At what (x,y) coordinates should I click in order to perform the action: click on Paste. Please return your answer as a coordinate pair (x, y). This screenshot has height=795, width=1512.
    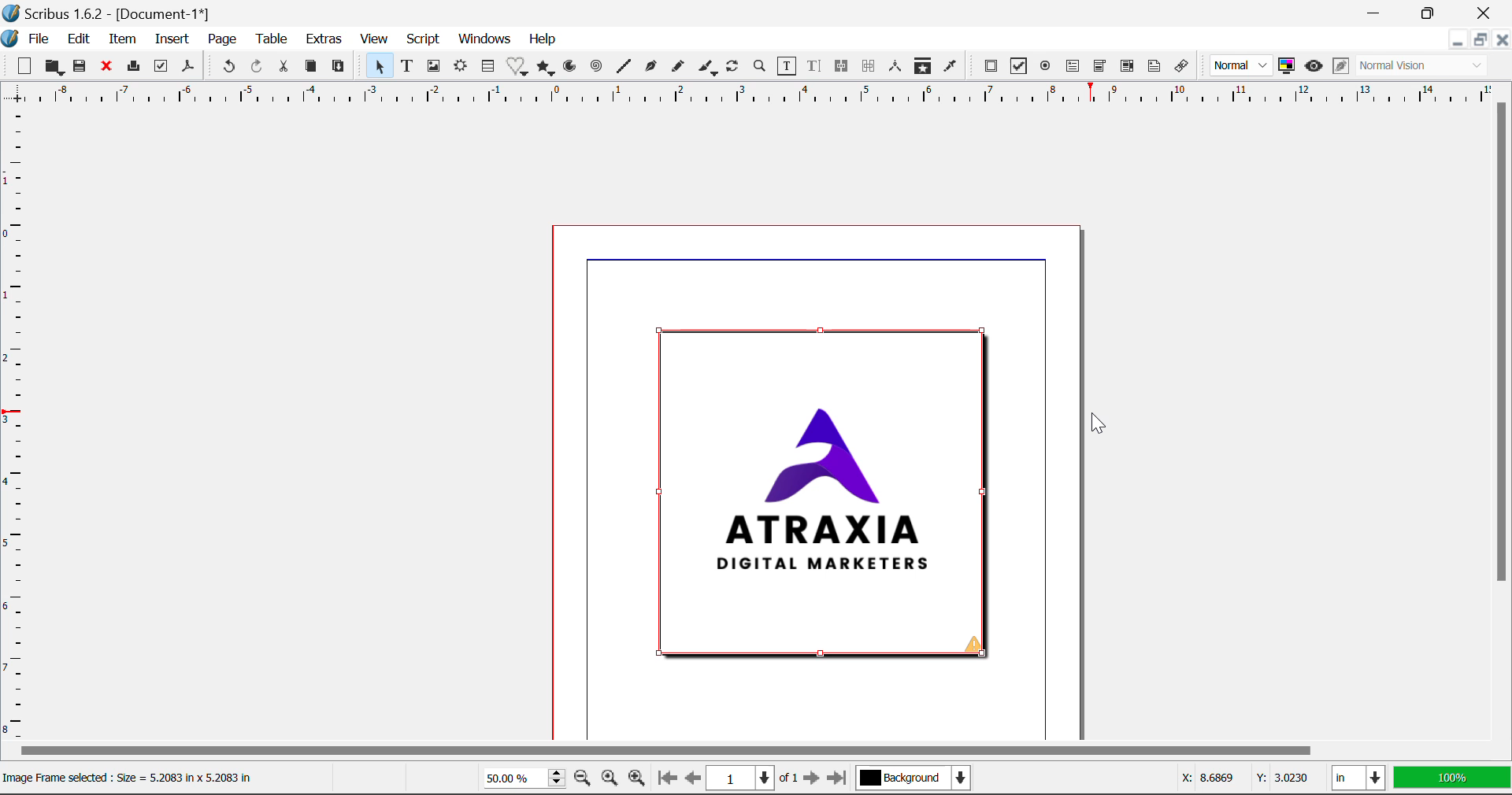
    Looking at the image, I should click on (341, 69).